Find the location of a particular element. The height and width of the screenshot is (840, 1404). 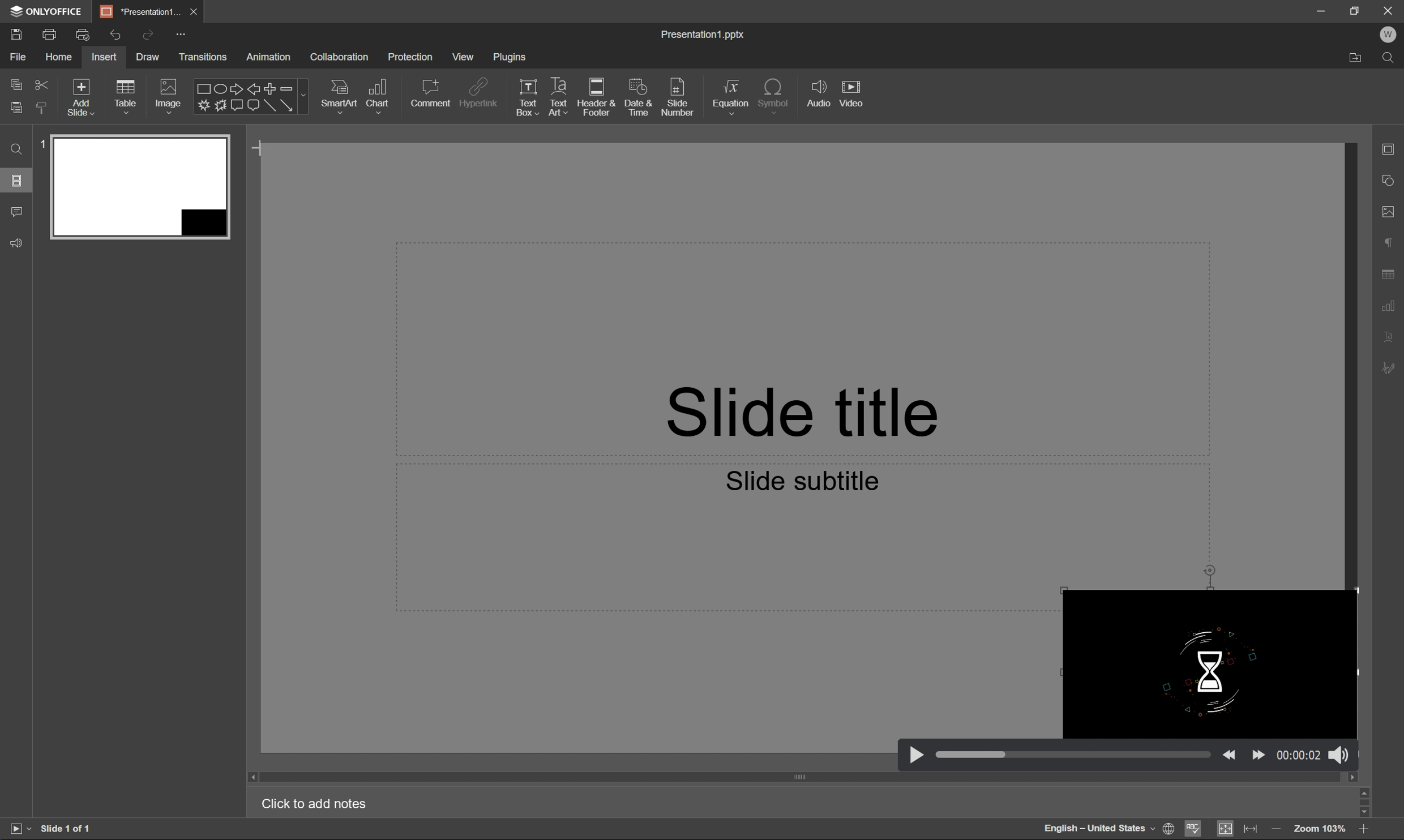

Images is located at coordinates (167, 96).